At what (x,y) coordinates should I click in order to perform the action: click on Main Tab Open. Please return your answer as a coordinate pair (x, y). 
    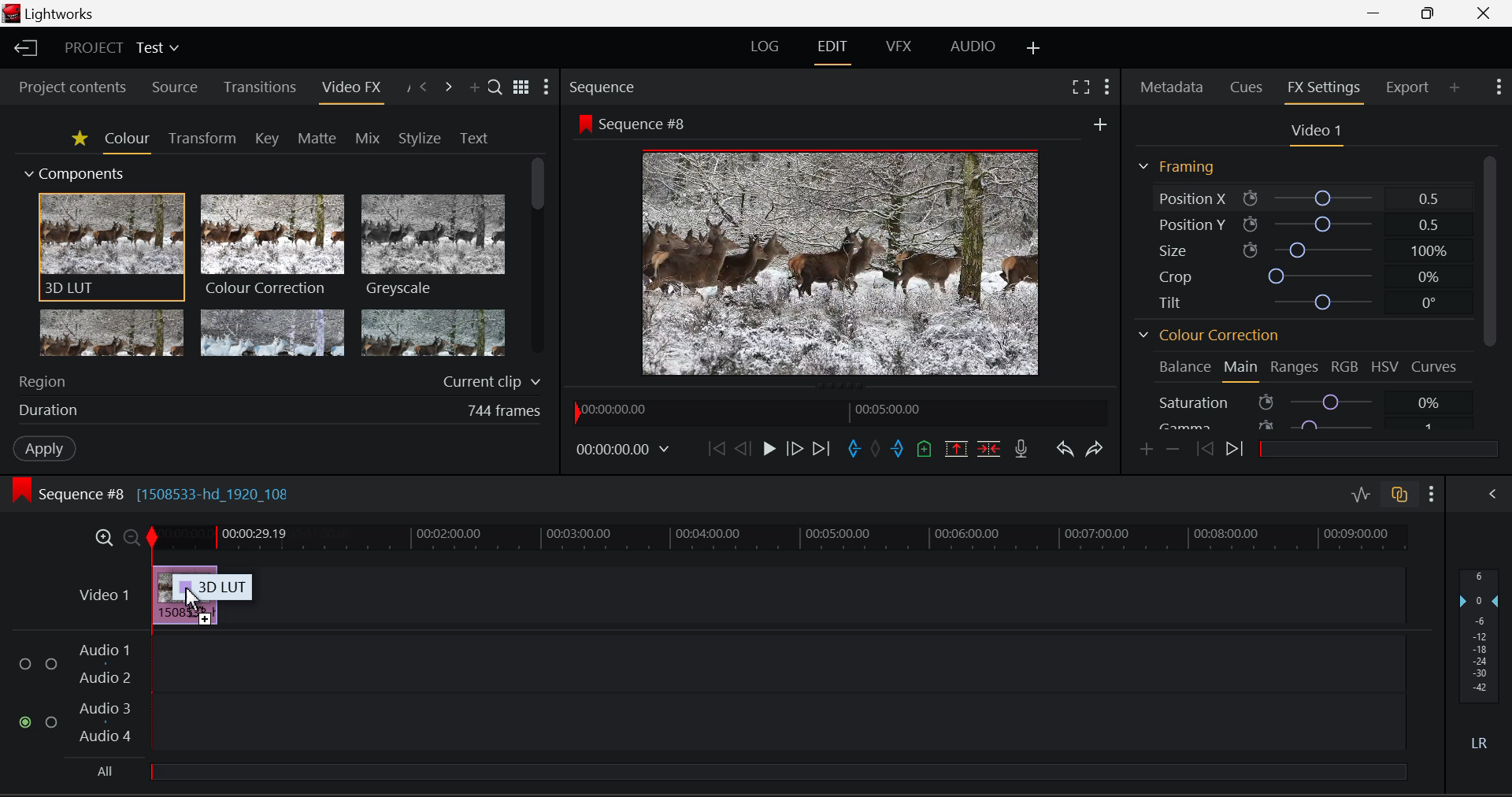
    Looking at the image, I should click on (1241, 371).